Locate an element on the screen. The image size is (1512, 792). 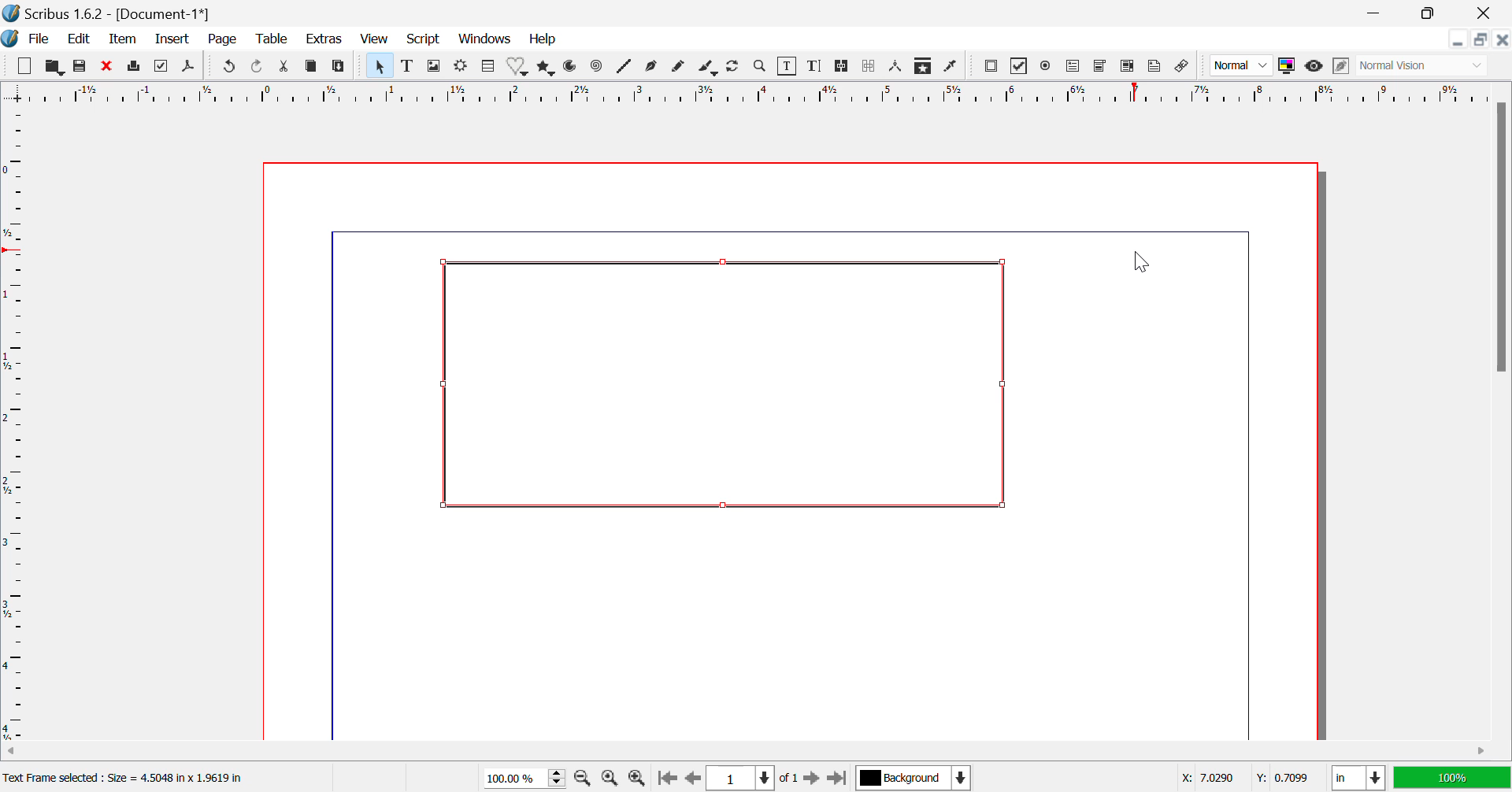
Calligraphic Line is located at coordinates (707, 68).